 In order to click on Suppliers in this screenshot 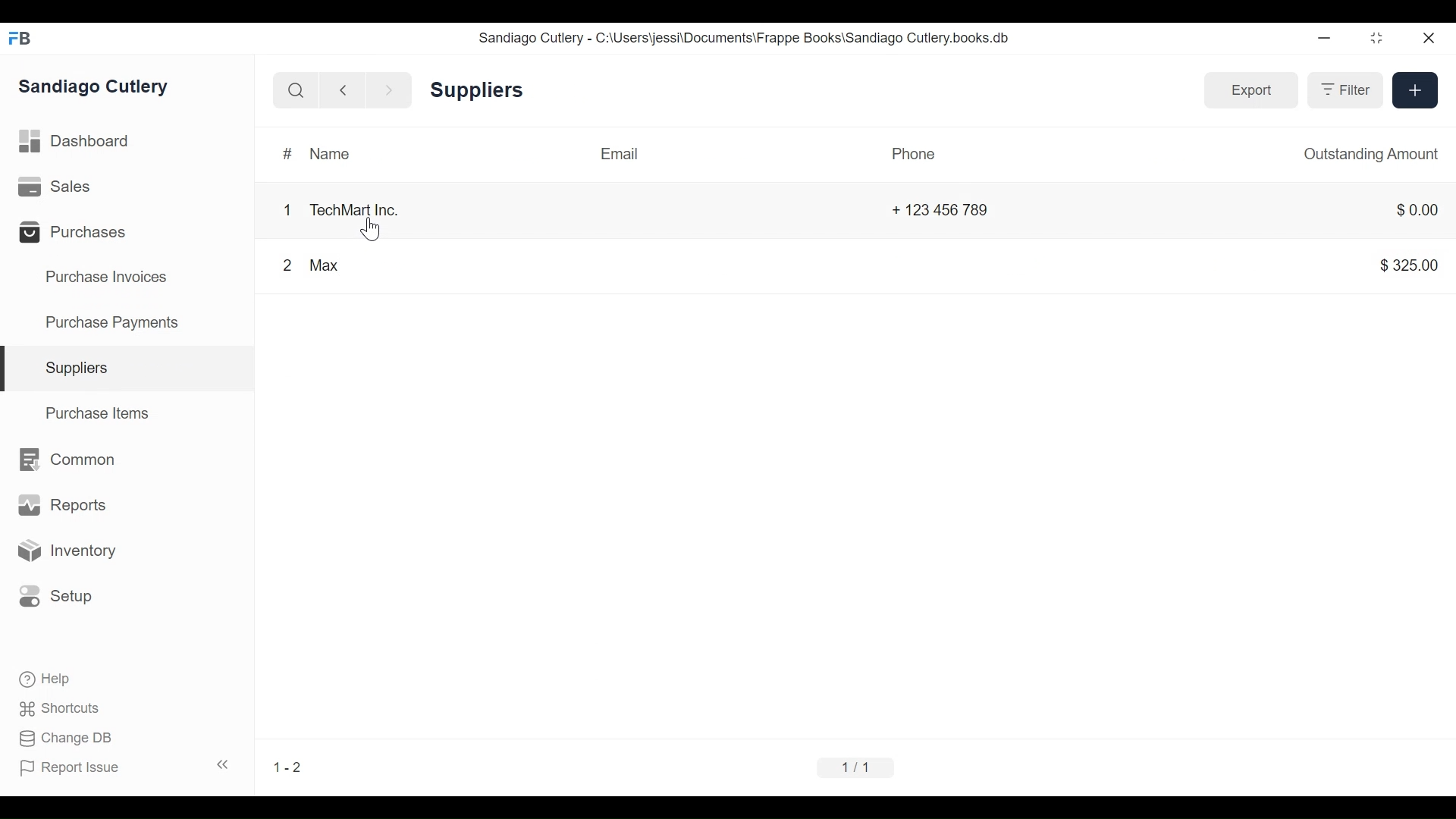, I will do `click(482, 93)`.